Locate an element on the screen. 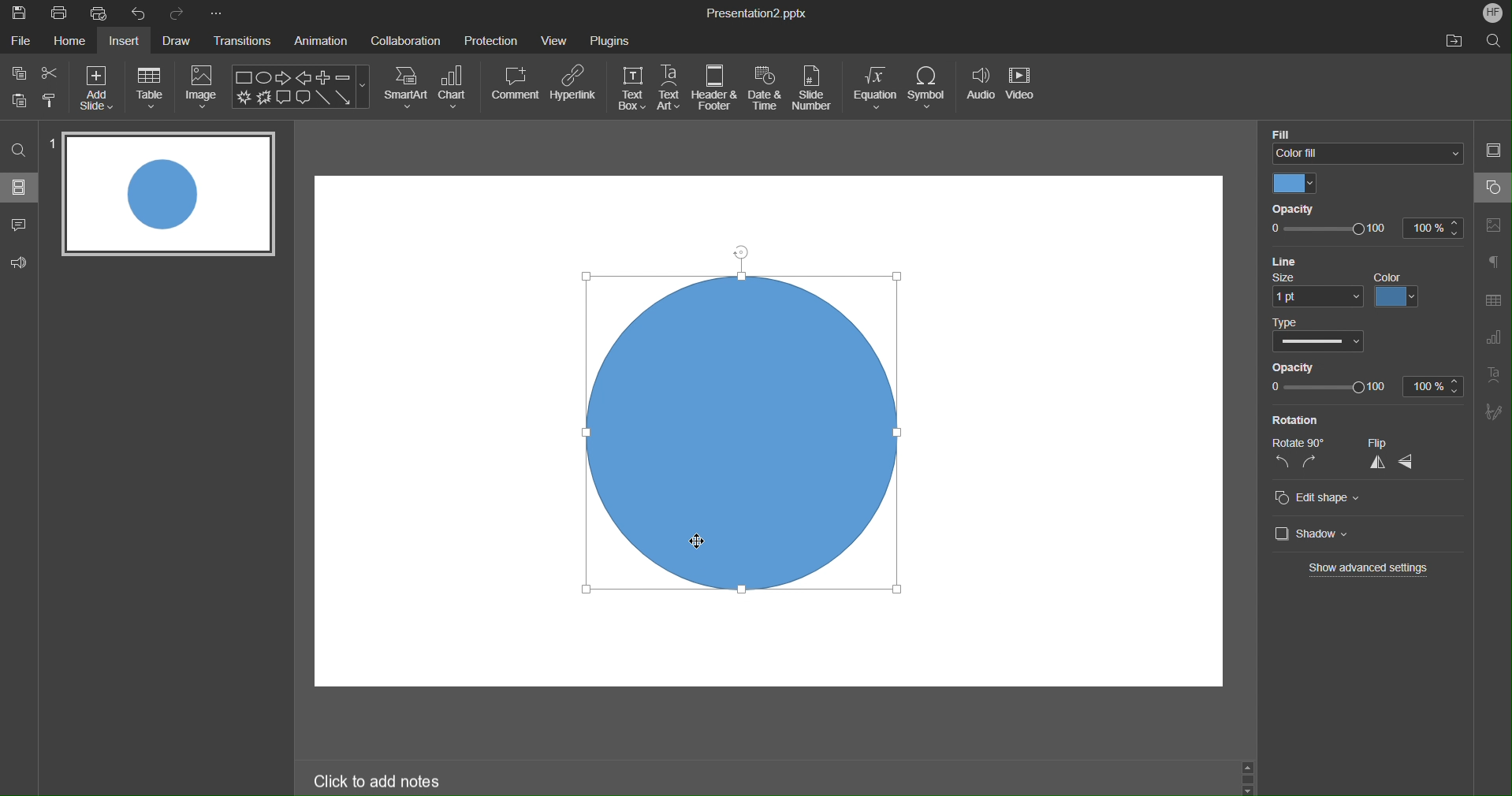  Table is located at coordinates (150, 87).